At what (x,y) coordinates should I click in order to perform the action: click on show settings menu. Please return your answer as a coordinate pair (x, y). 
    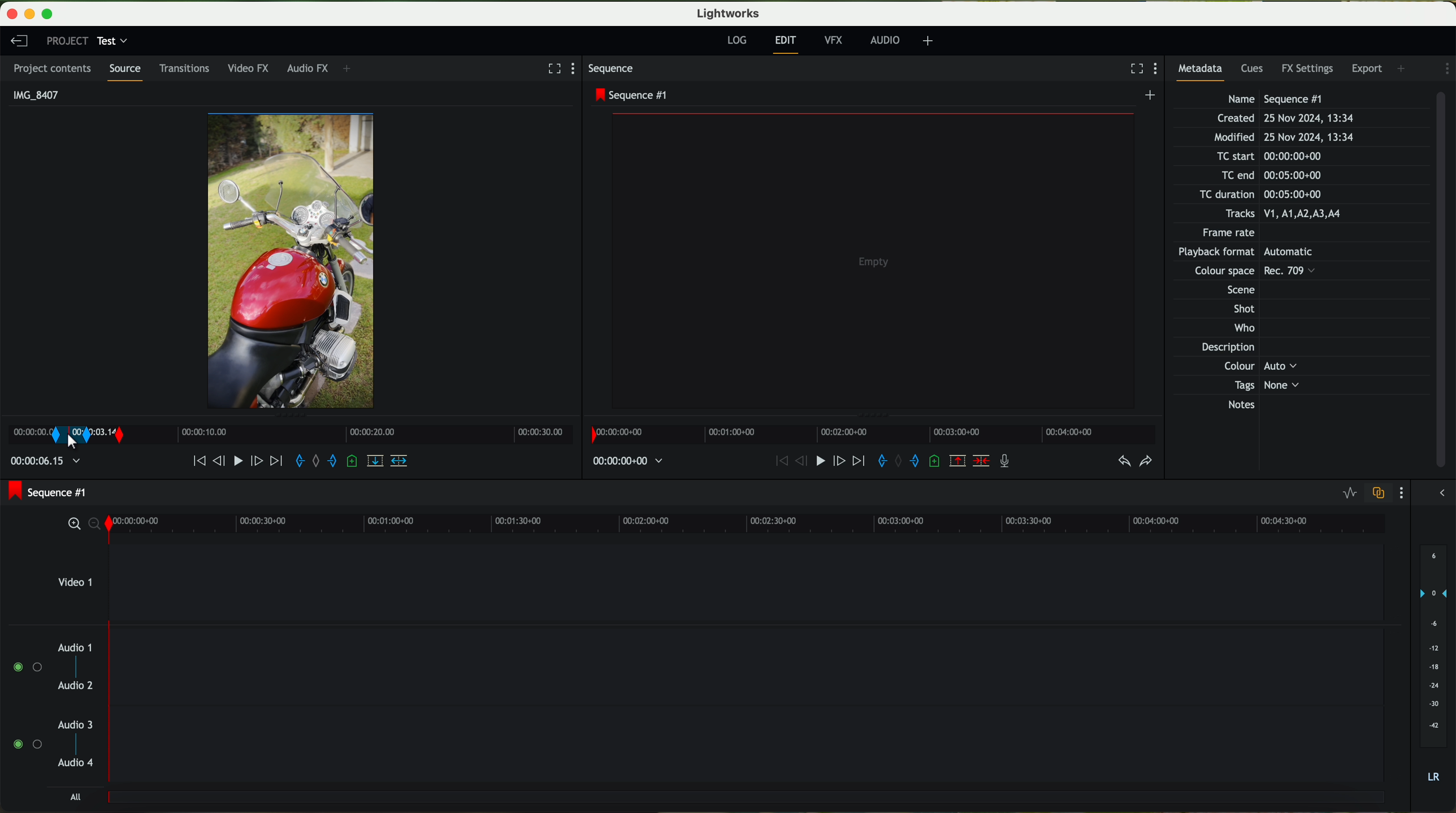
    Looking at the image, I should click on (1445, 68).